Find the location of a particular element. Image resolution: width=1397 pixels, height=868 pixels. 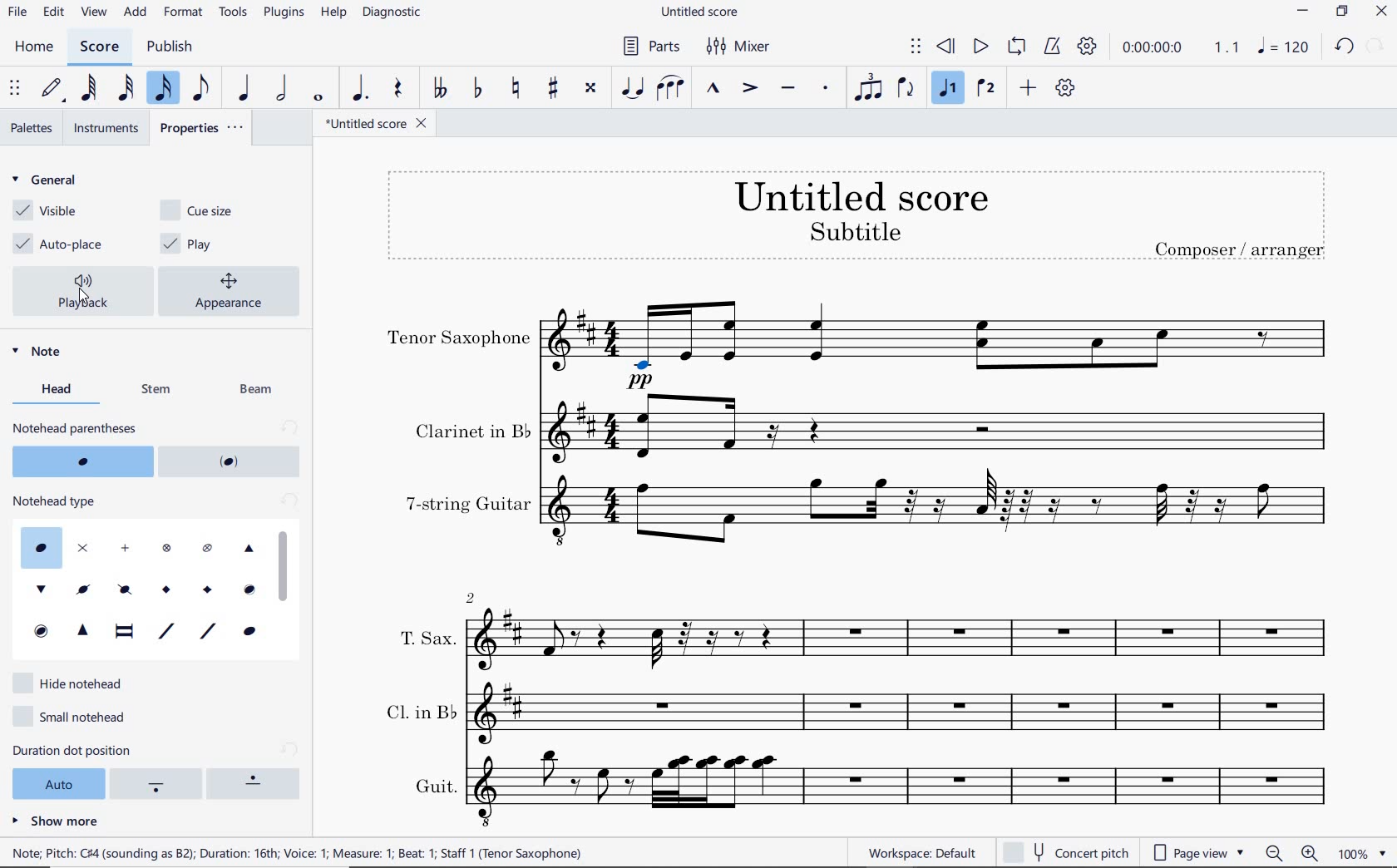

PARTS is located at coordinates (650, 45).